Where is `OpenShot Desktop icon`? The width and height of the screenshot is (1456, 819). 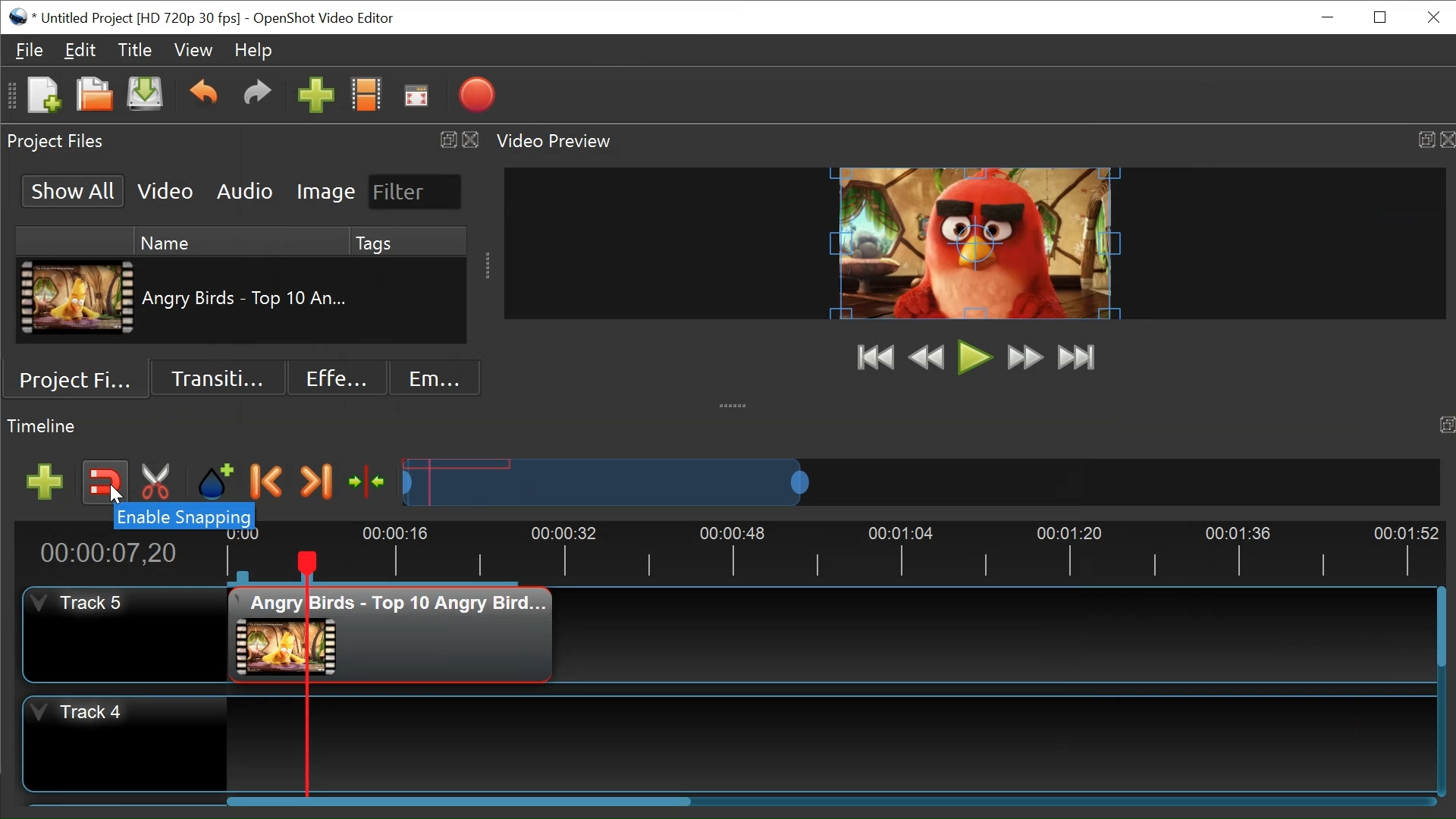 OpenShot Desktop icon is located at coordinates (17, 17).